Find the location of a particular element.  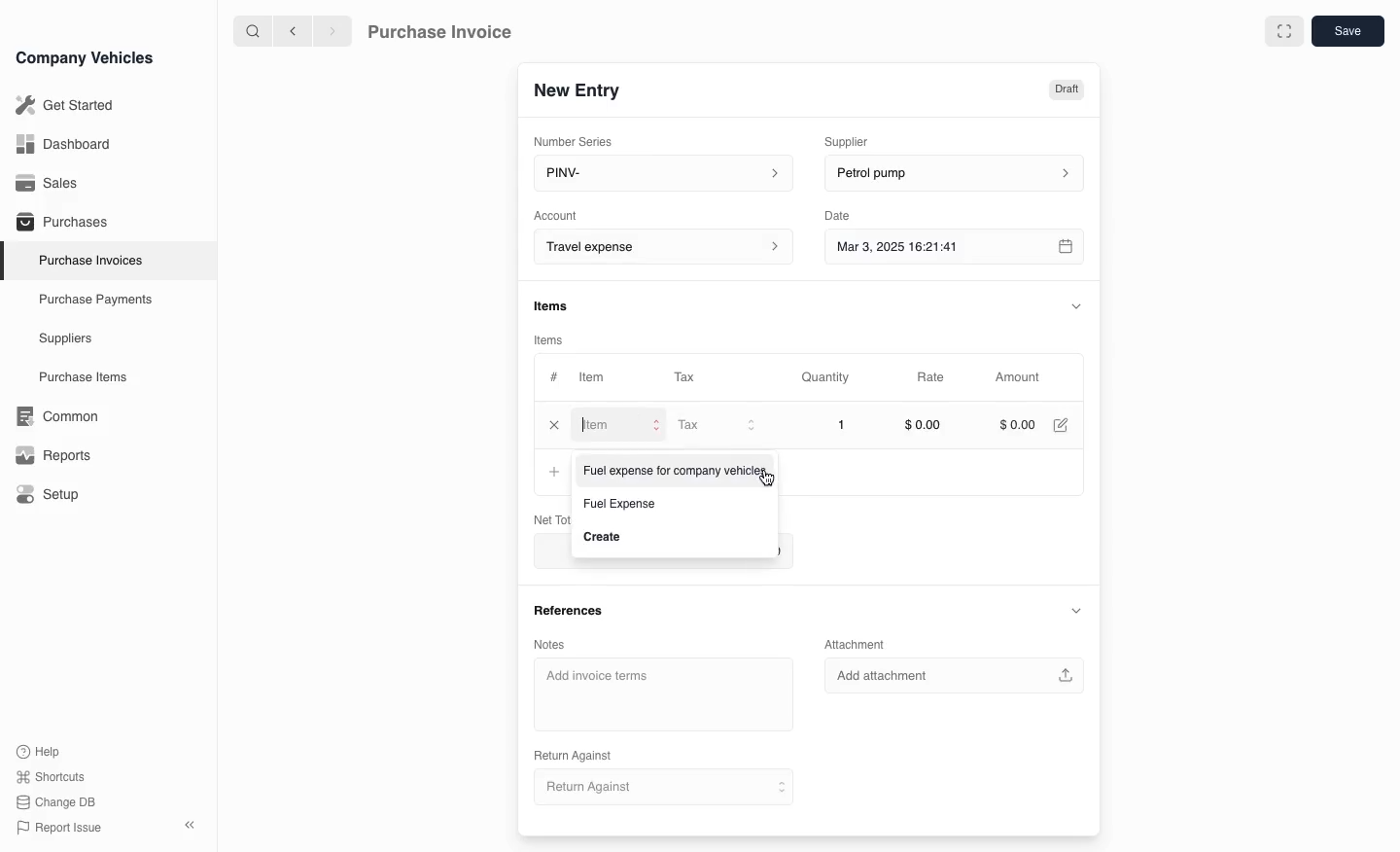

New Entry is located at coordinates (586, 89).